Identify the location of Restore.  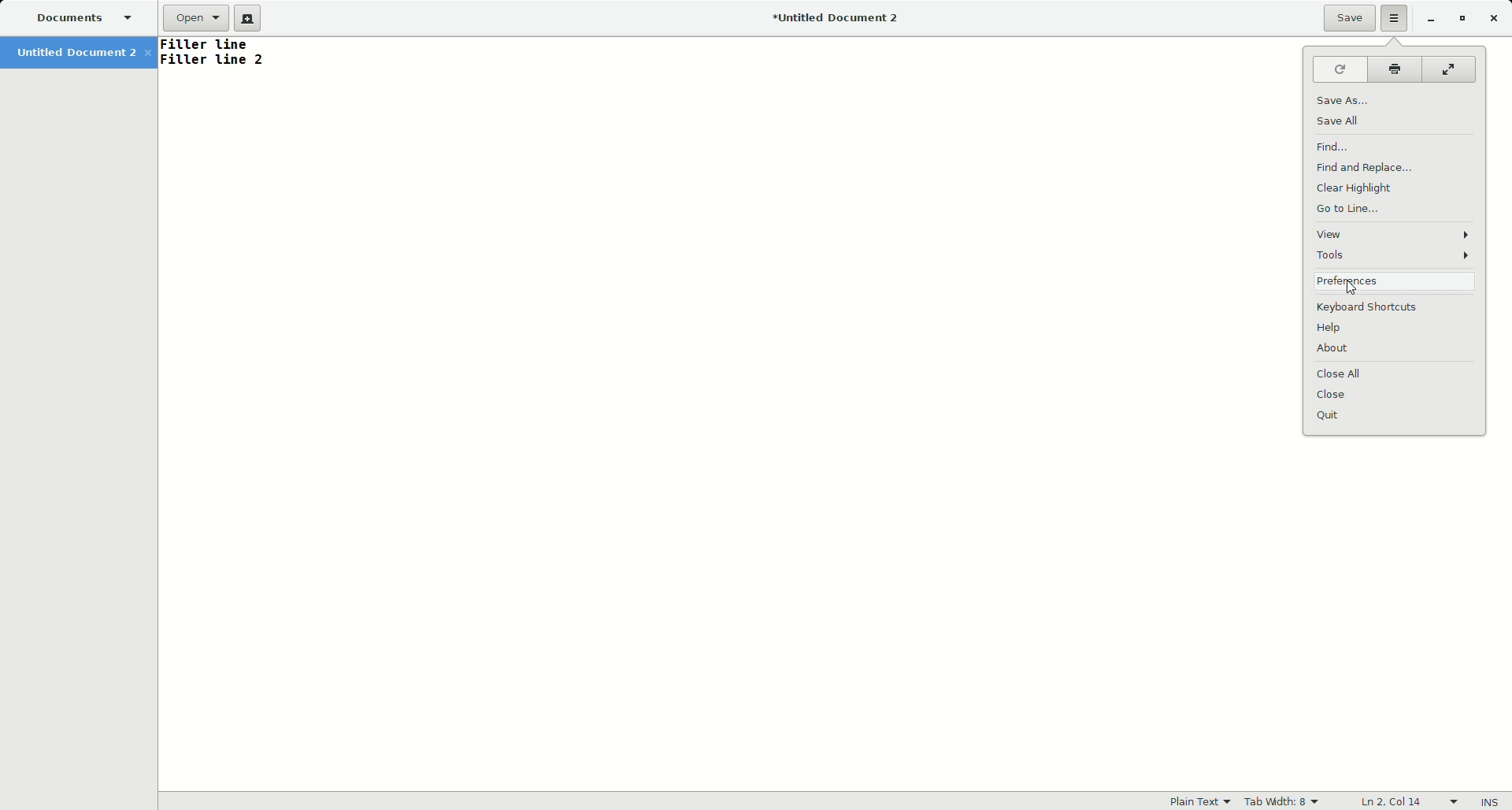
(1460, 19).